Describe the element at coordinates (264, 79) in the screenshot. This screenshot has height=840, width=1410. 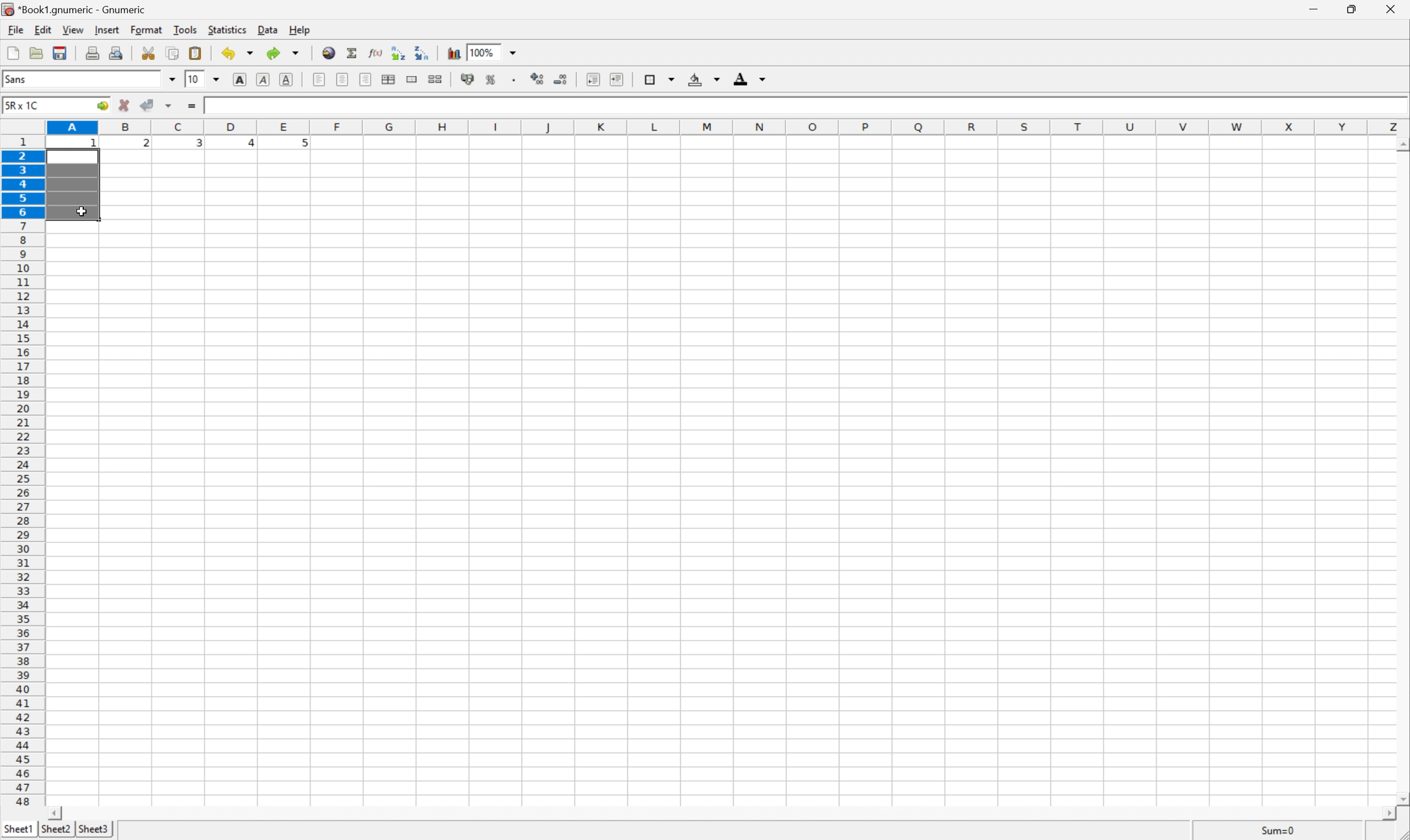
I see `italic` at that location.